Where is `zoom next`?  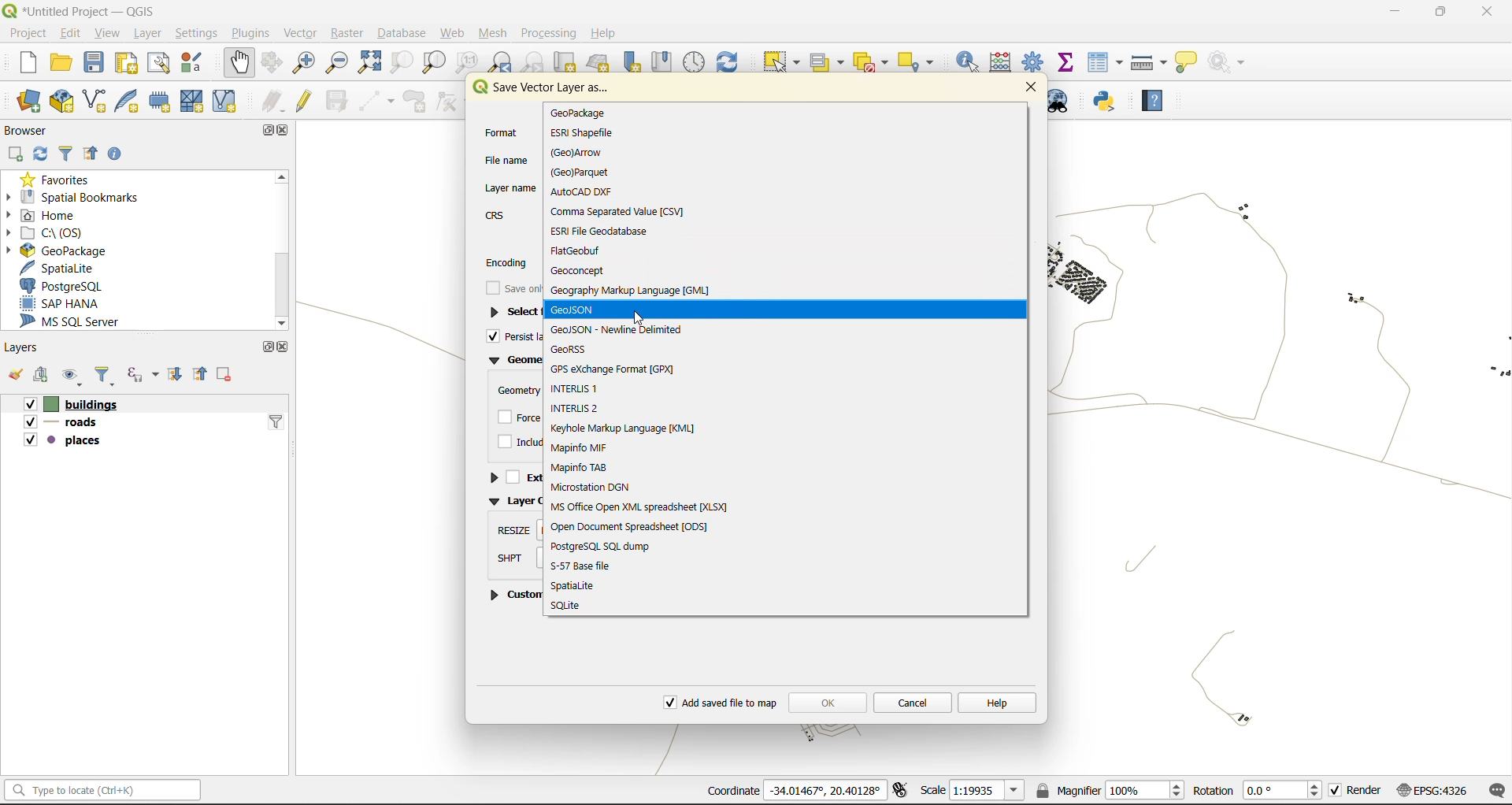 zoom next is located at coordinates (537, 62).